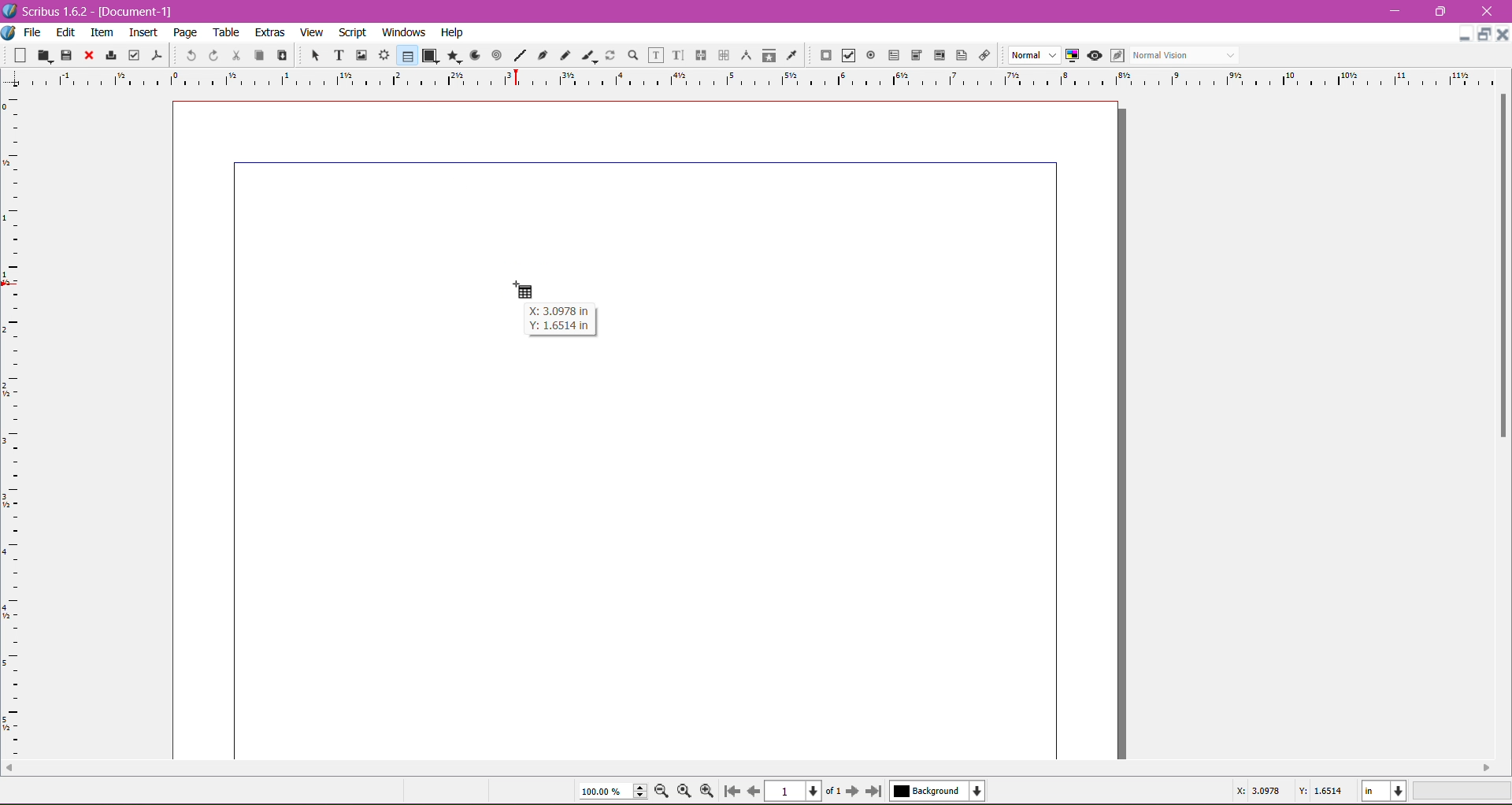  I want to click on Select Item, so click(309, 54).